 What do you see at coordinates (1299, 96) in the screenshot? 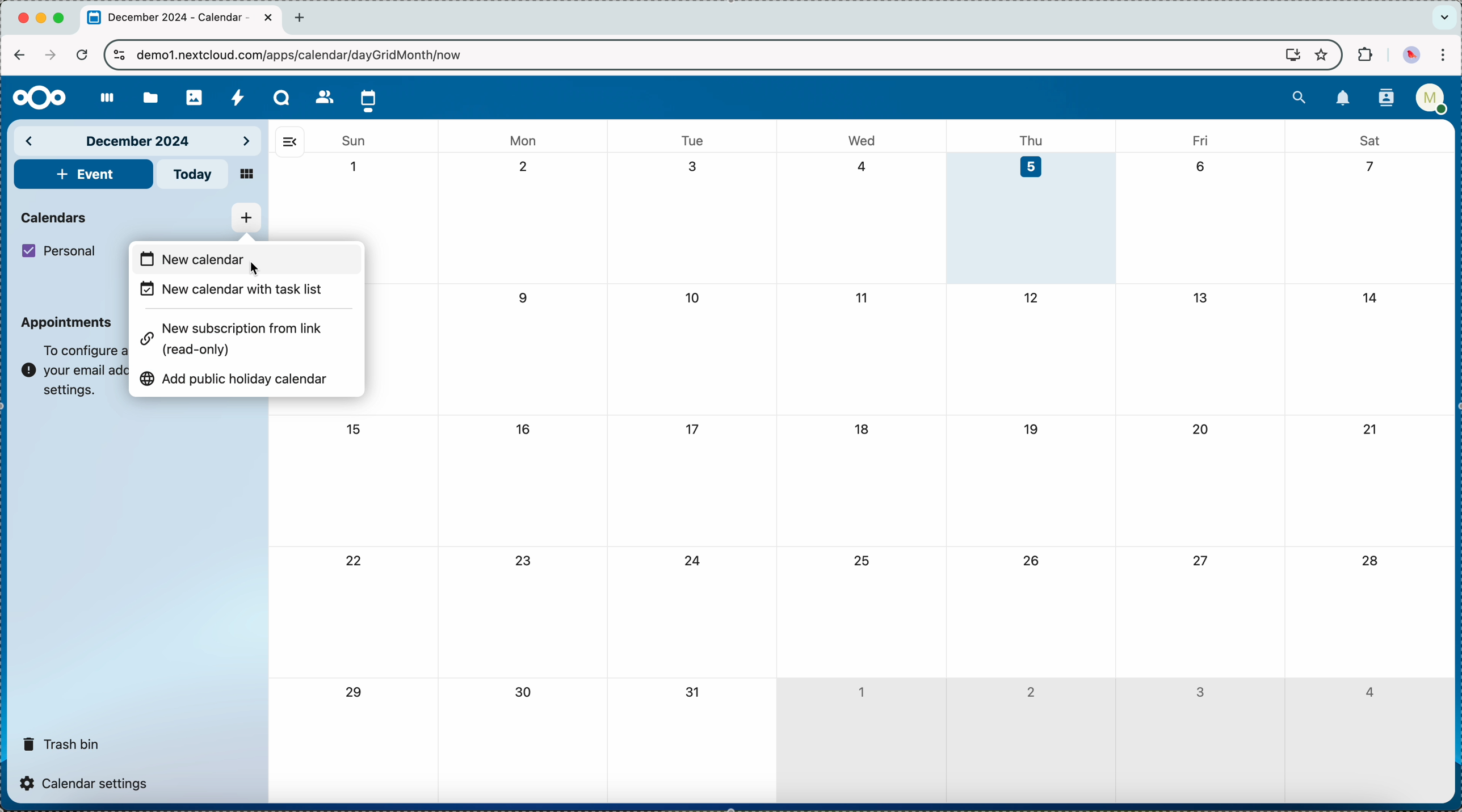
I see `search` at bounding box center [1299, 96].